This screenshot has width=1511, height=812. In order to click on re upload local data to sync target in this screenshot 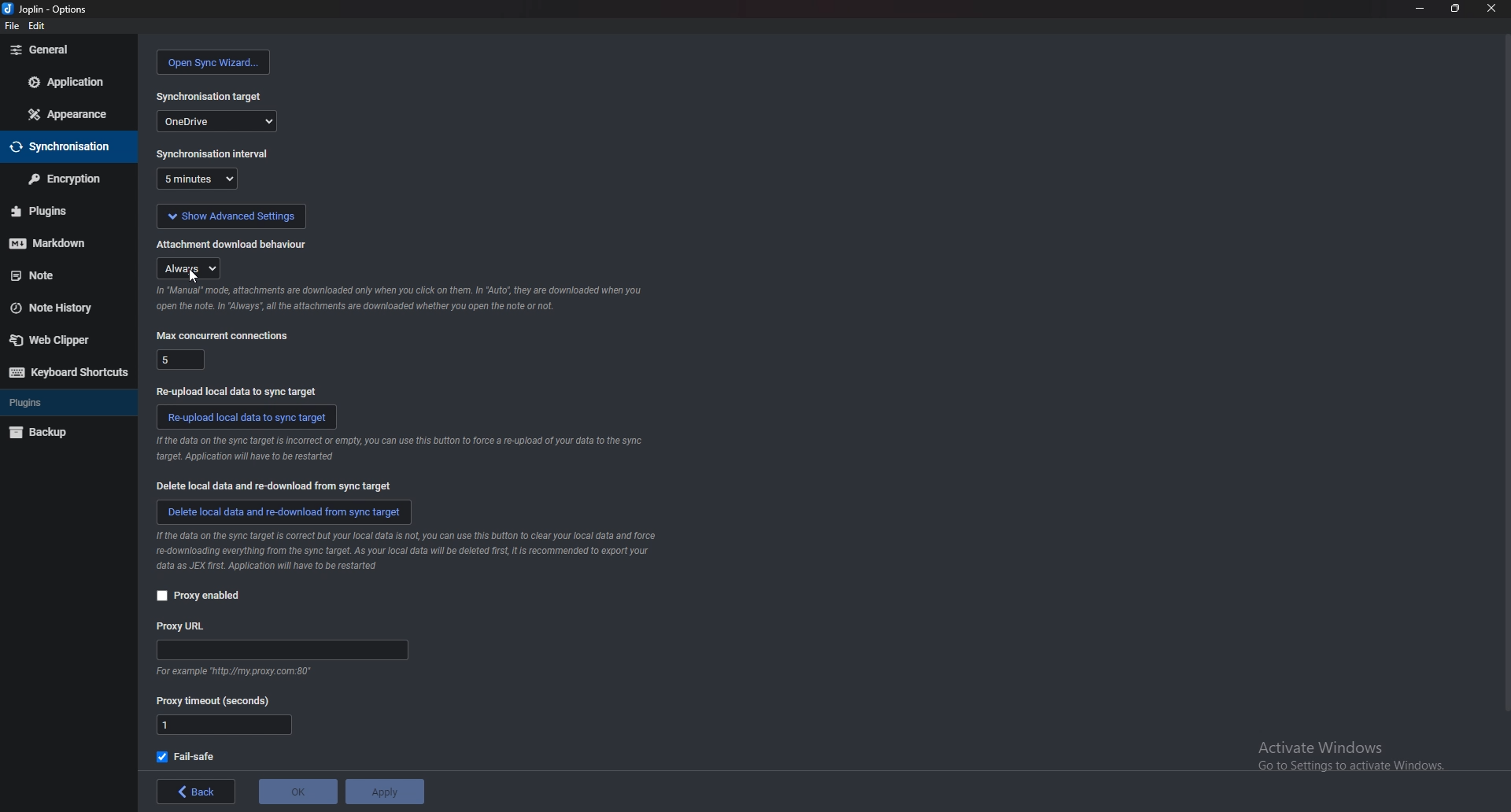, I will do `click(242, 391)`.